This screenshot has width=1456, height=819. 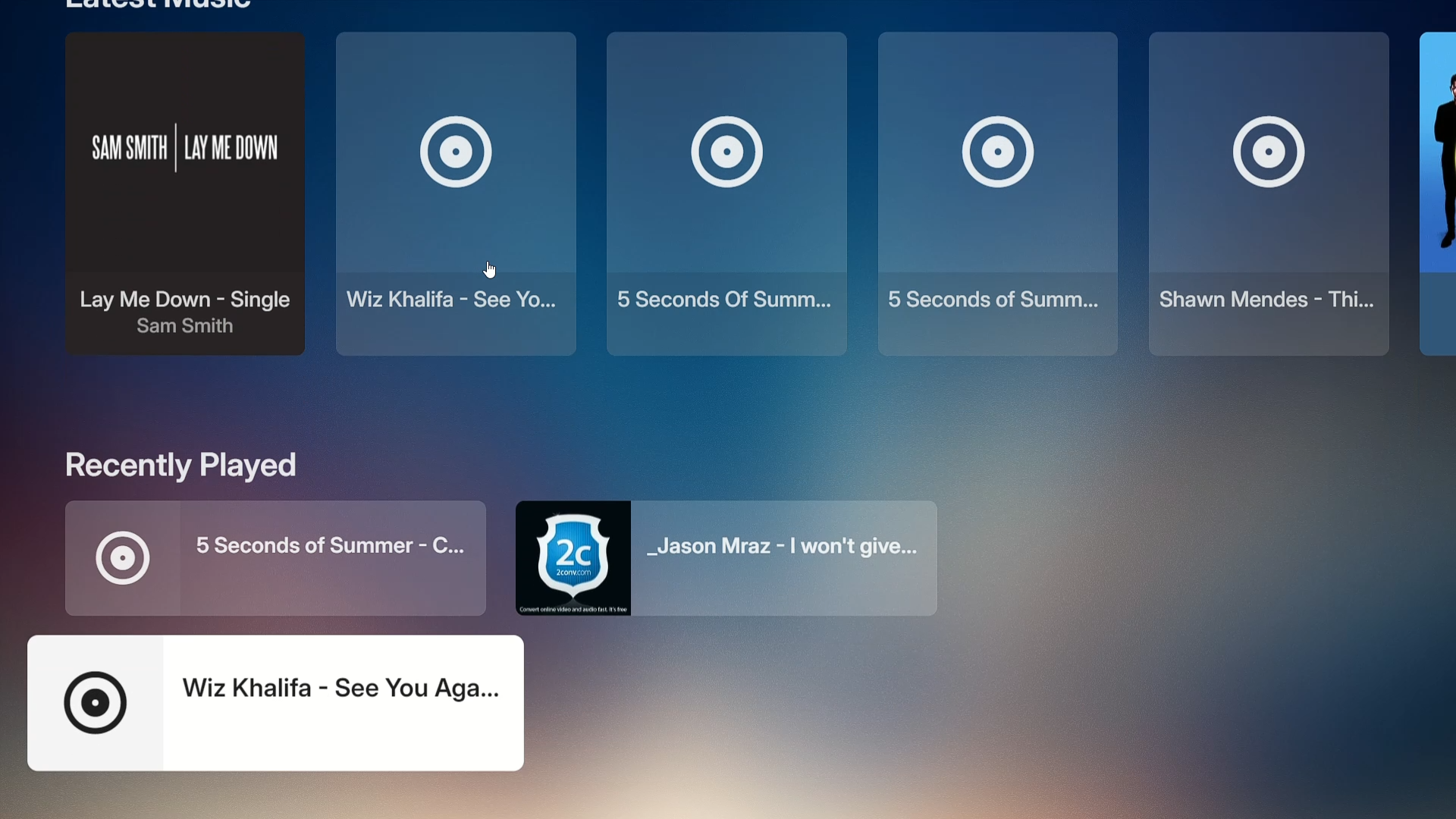 What do you see at coordinates (996, 196) in the screenshot?
I see `5 Seconds of` at bounding box center [996, 196].